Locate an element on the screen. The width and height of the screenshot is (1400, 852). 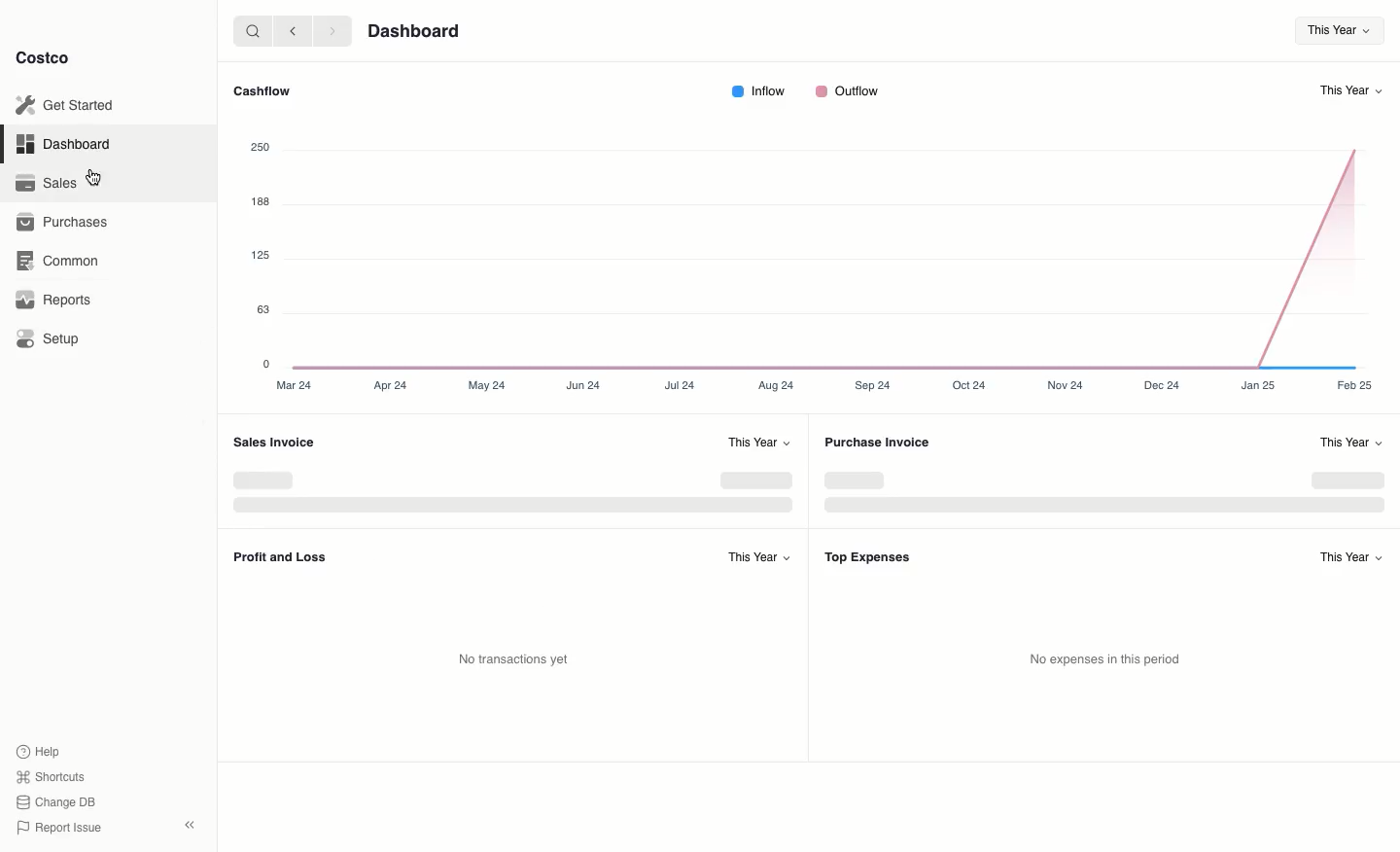
search is located at coordinates (249, 30).